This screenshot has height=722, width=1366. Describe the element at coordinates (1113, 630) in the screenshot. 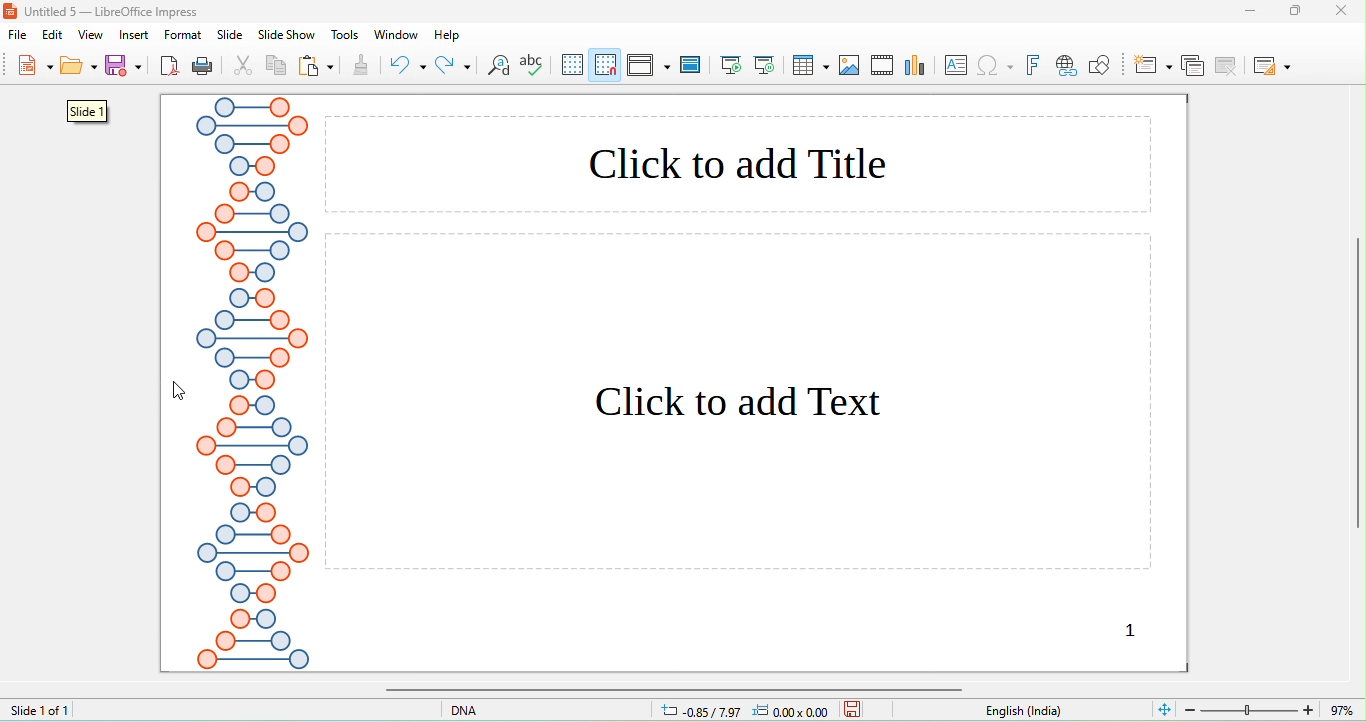

I see `1` at that location.